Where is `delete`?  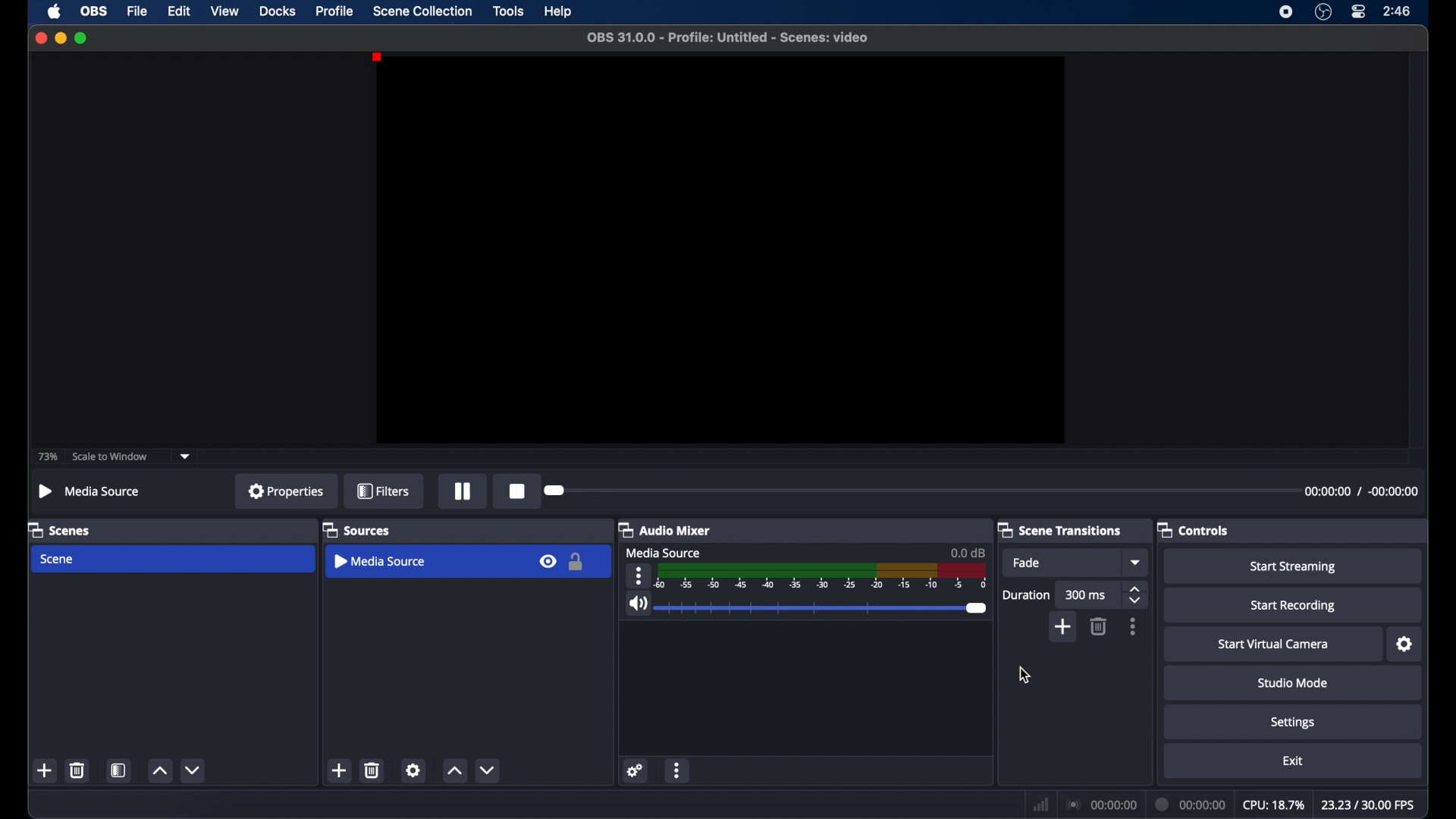 delete is located at coordinates (1097, 626).